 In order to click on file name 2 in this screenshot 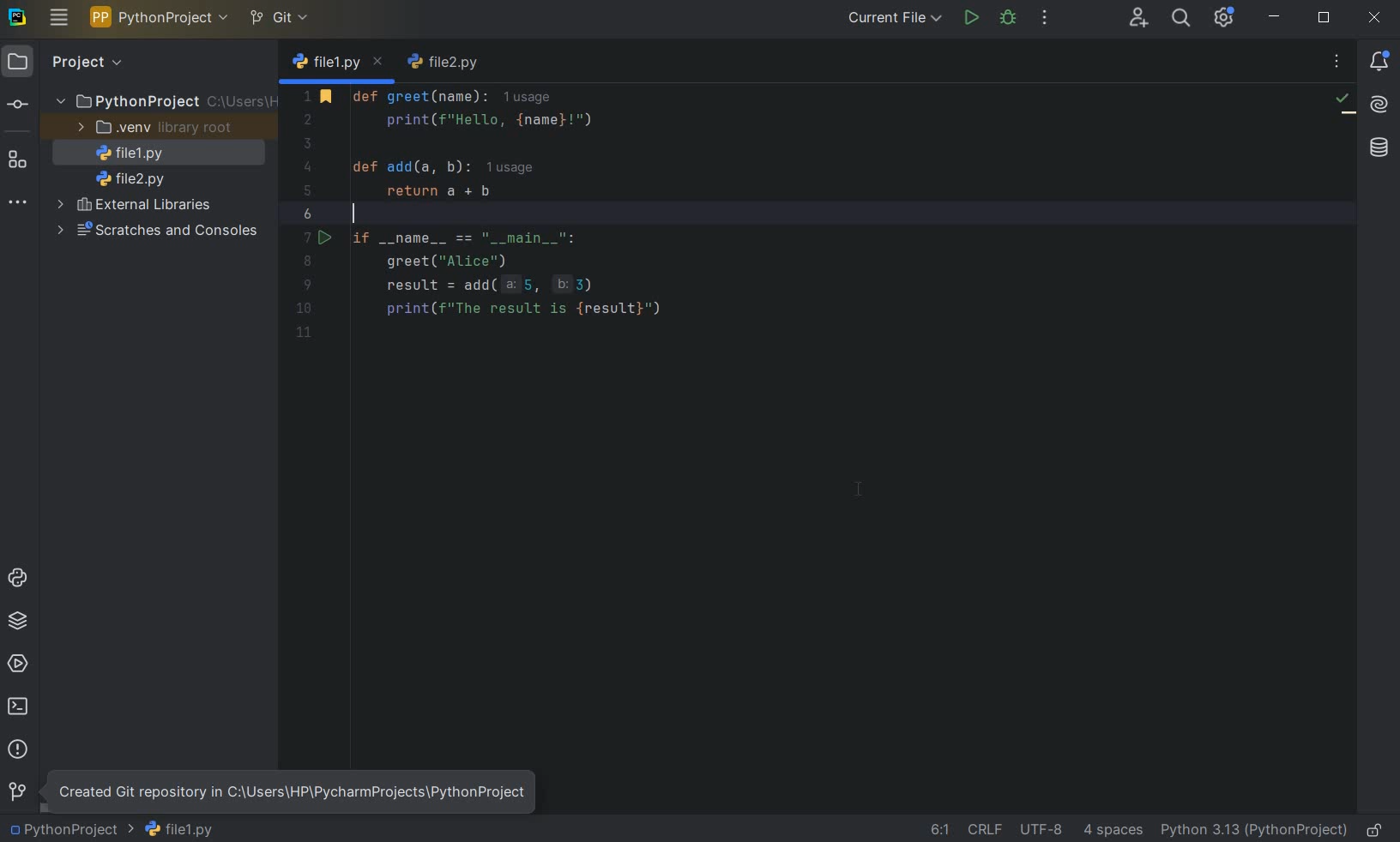, I will do `click(130, 178)`.